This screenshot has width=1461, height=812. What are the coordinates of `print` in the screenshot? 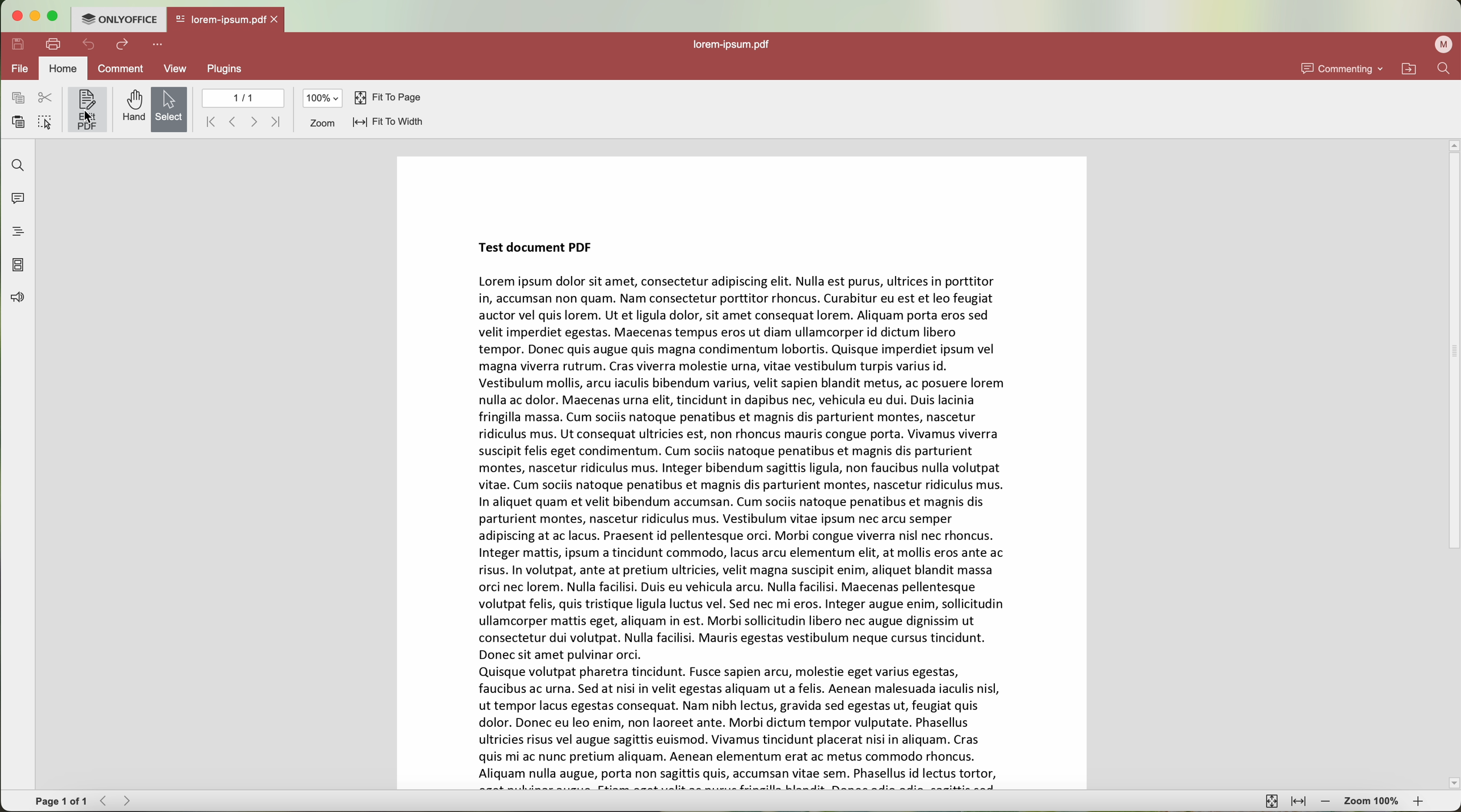 It's located at (54, 44).